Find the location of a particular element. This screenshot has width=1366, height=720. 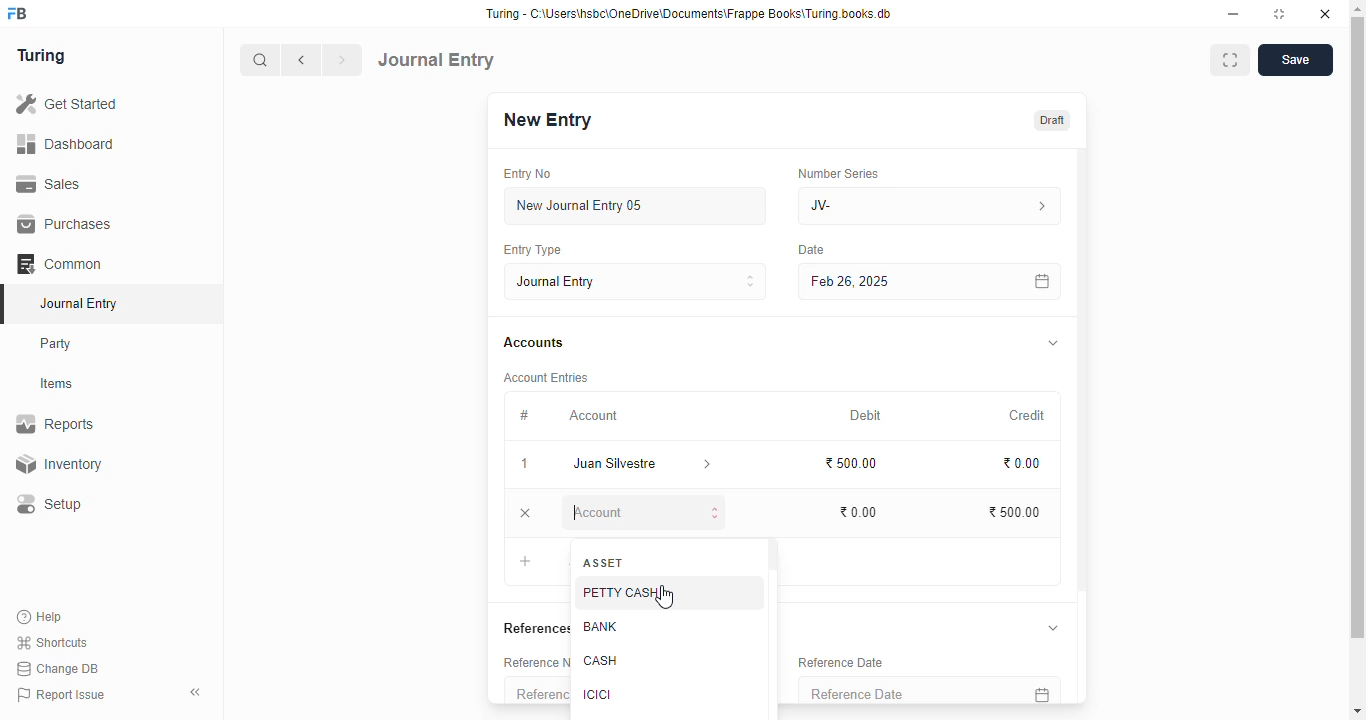

common is located at coordinates (61, 264).